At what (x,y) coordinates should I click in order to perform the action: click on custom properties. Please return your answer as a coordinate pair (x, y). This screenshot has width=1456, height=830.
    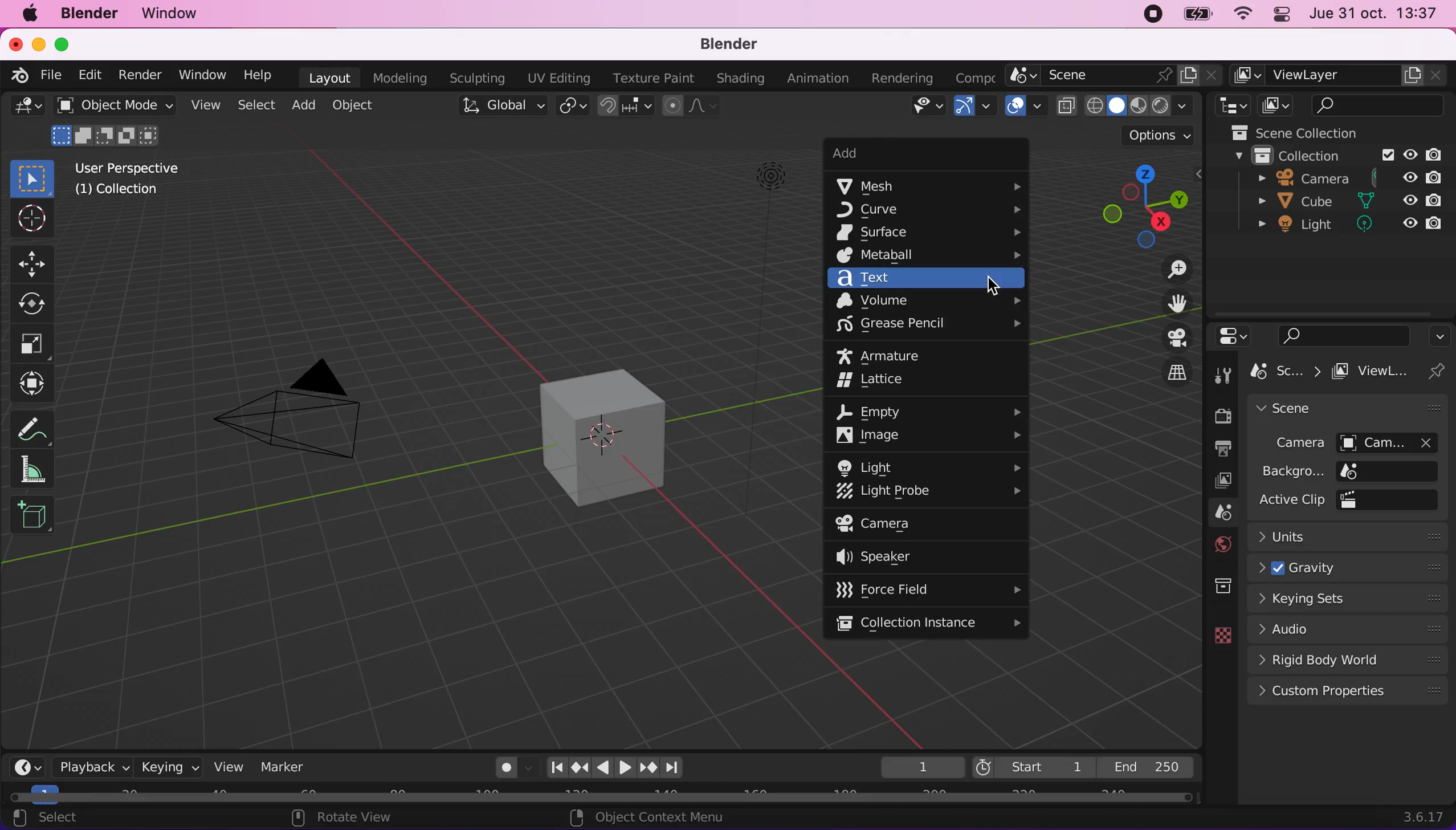
    Looking at the image, I should click on (1349, 692).